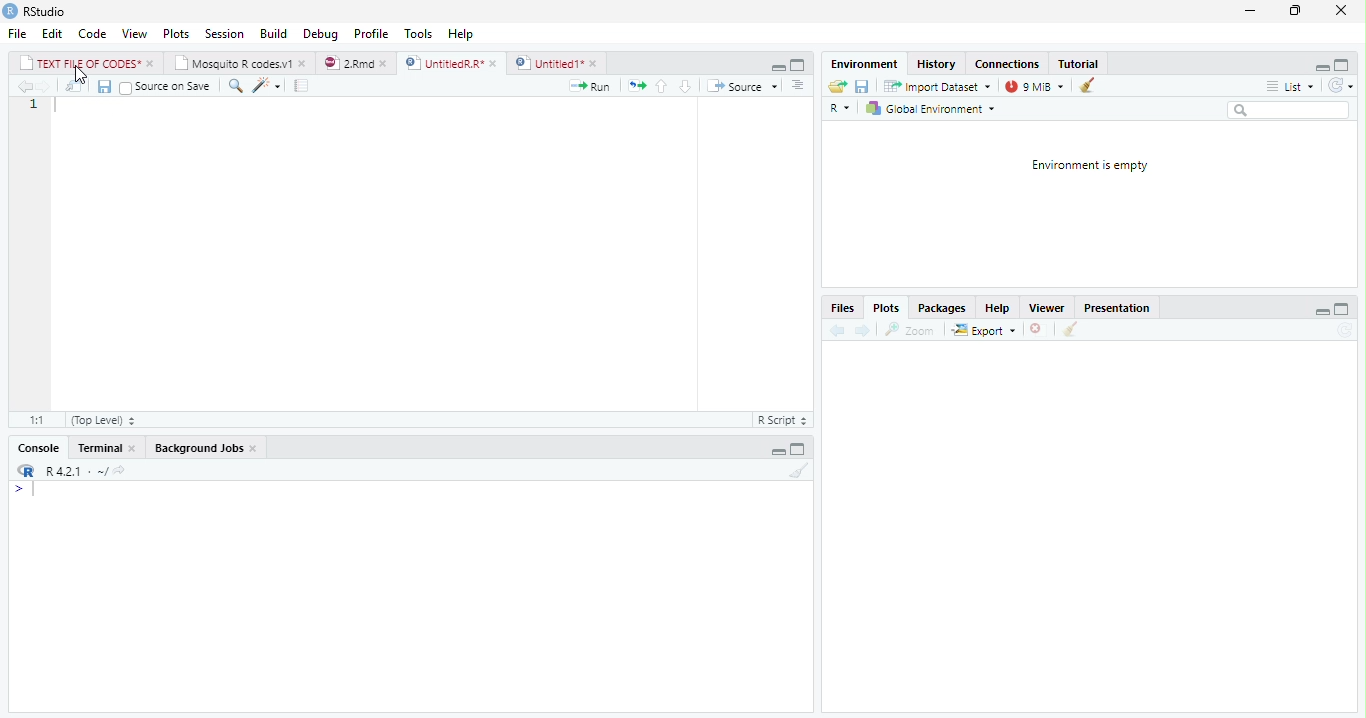 This screenshot has width=1366, height=718. I want to click on save, so click(864, 87).